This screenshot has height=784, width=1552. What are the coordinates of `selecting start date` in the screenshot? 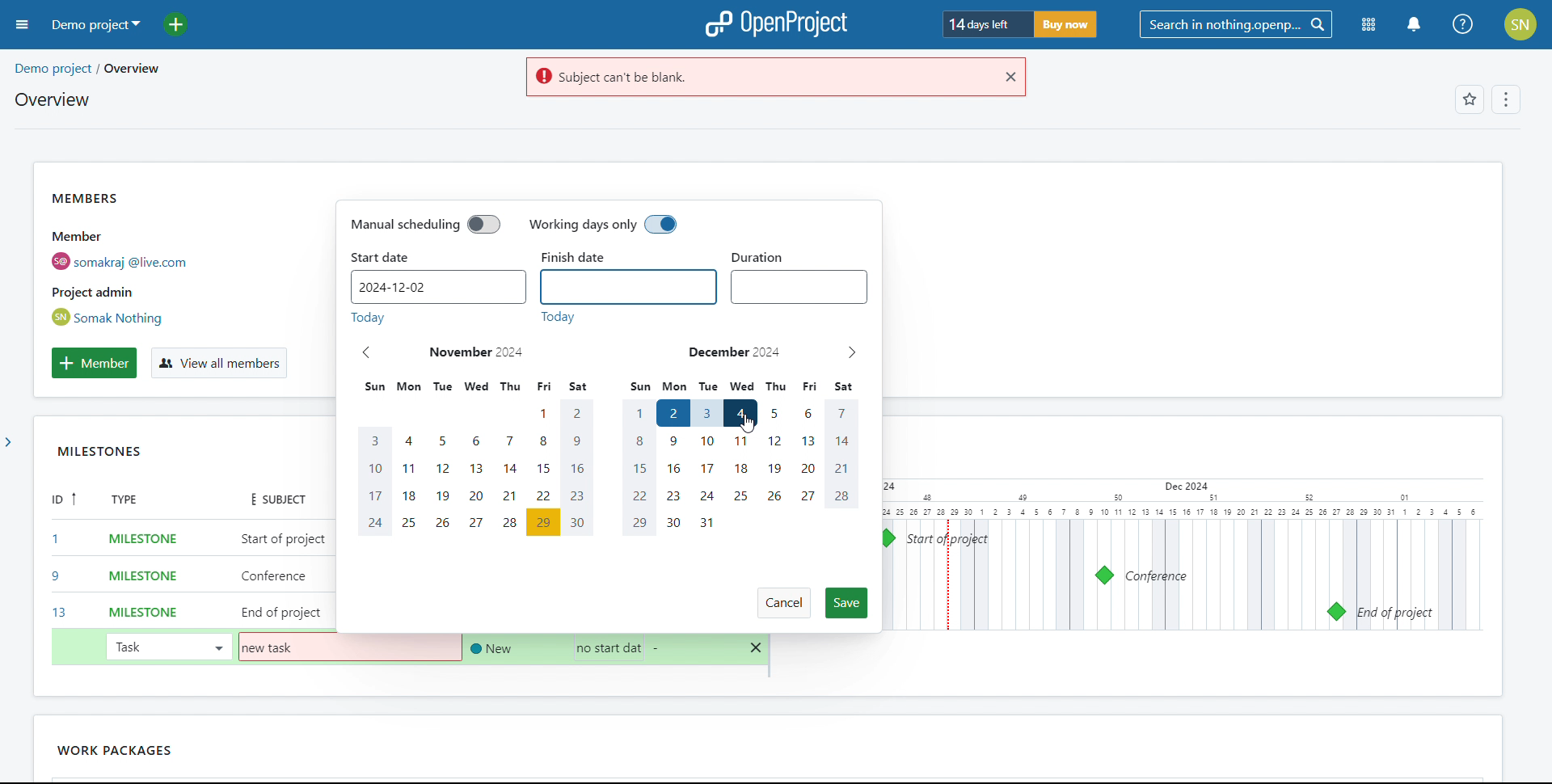 It's located at (603, 647).